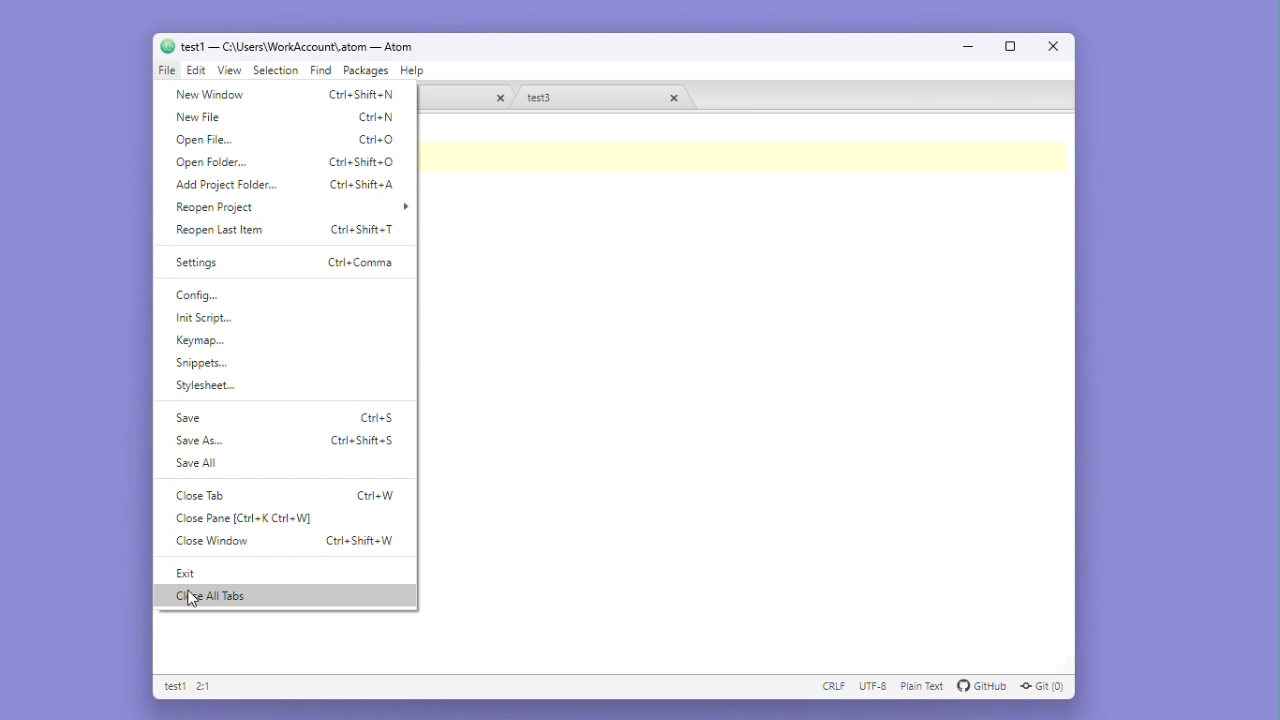 Image resolution: width=1280 pixels, height=720 pixels. I want to click on 2:1, so click(205, 686).